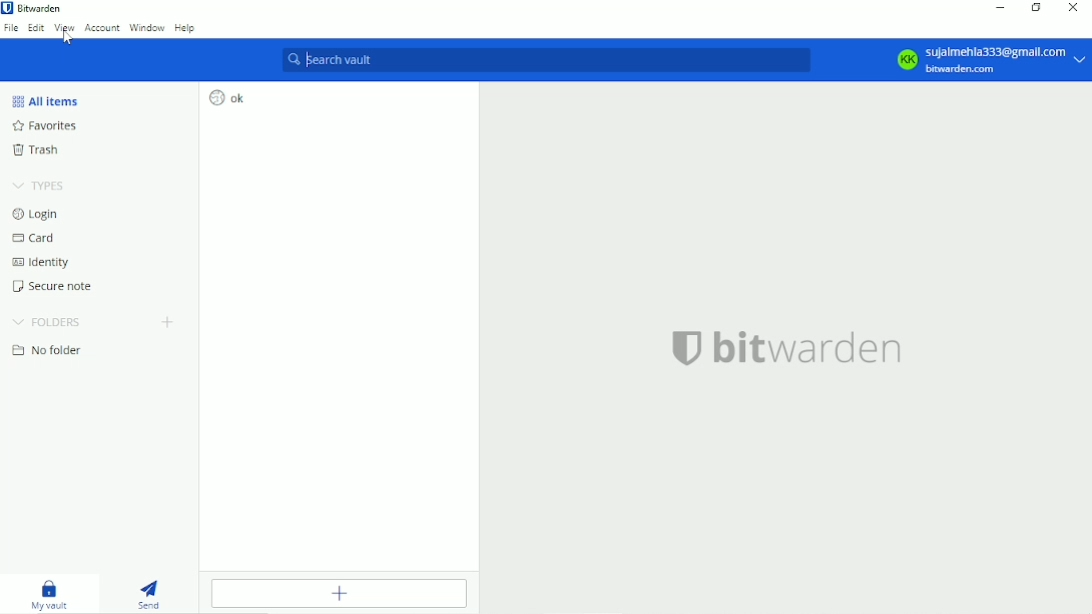  Describe the element at coordinates (35, 213) in the screenshot. I see `Login` at that location.